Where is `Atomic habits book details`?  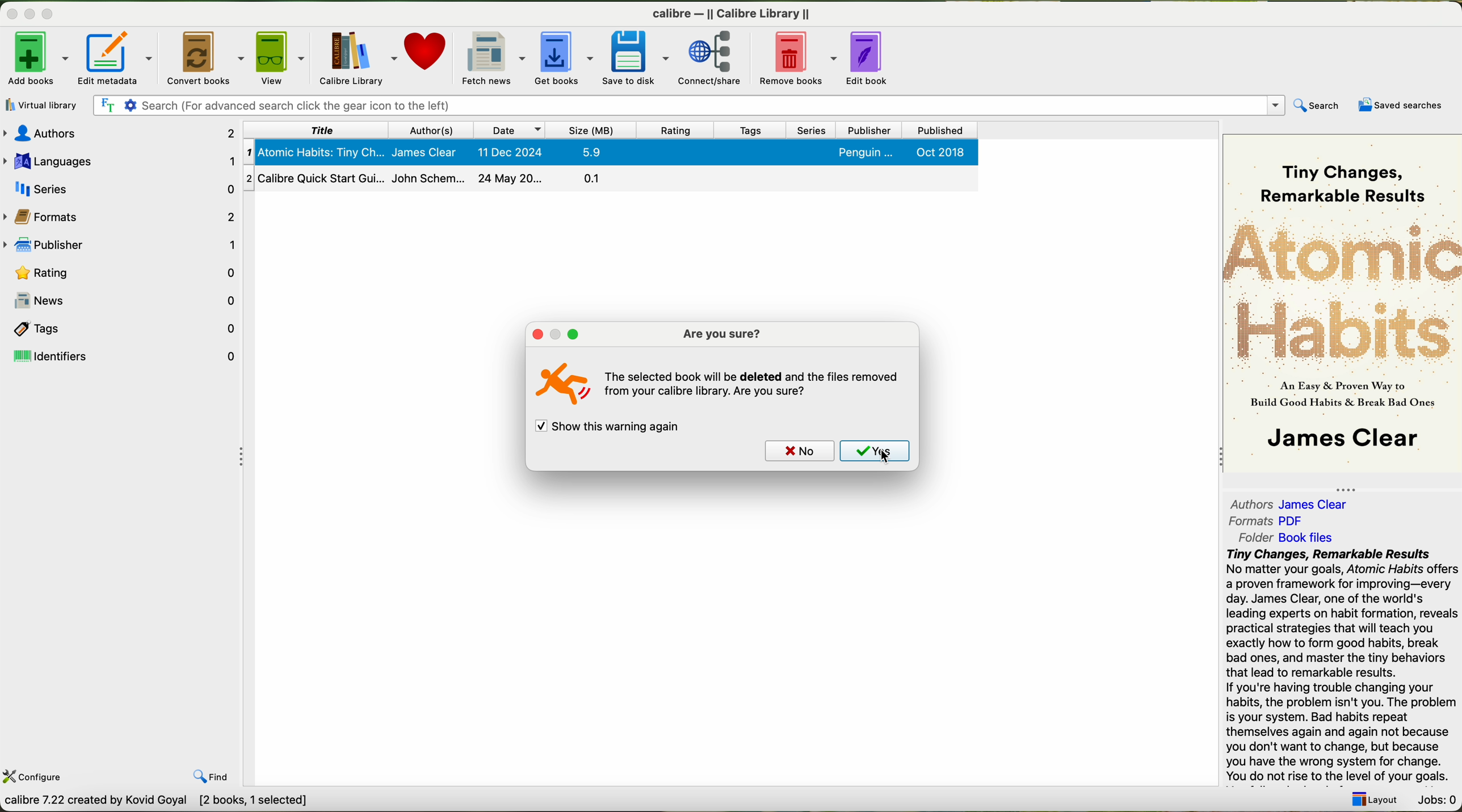
Atomic habits book details is located at coordinates (610, 152).